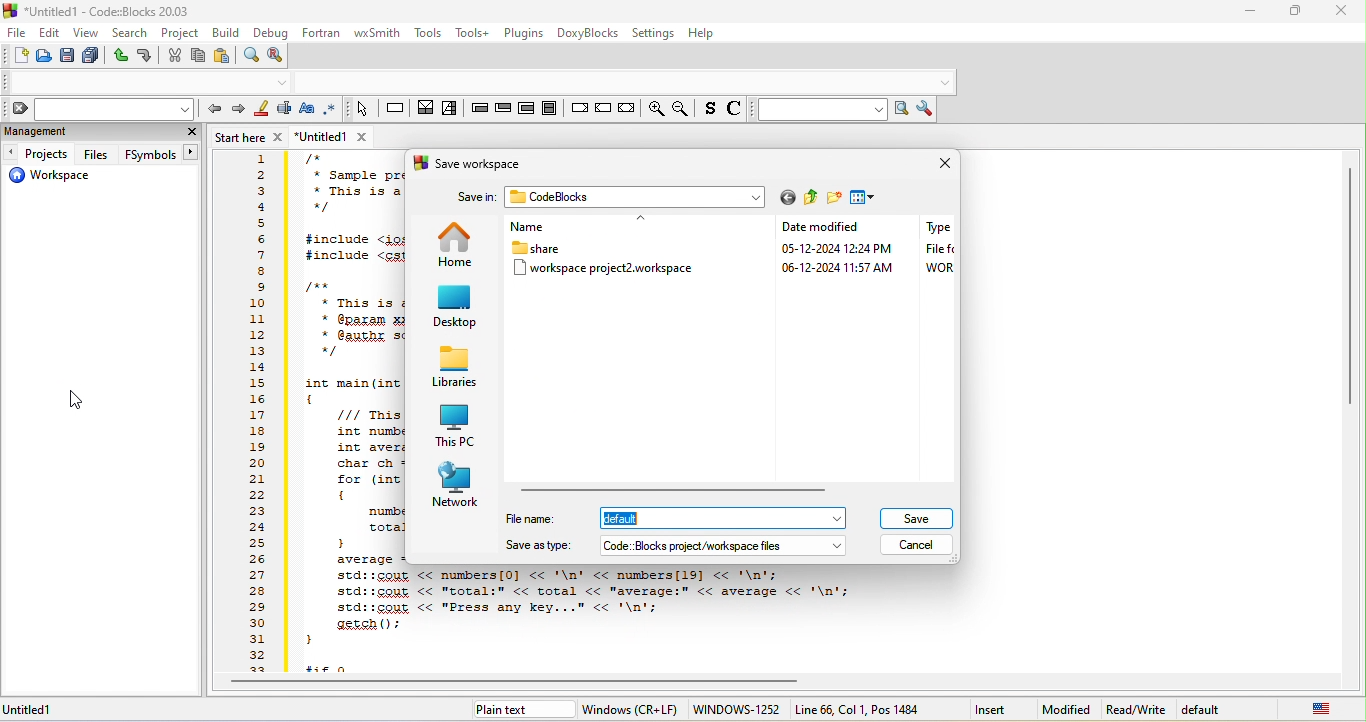  I want to click on libraries, so click(454, 368).